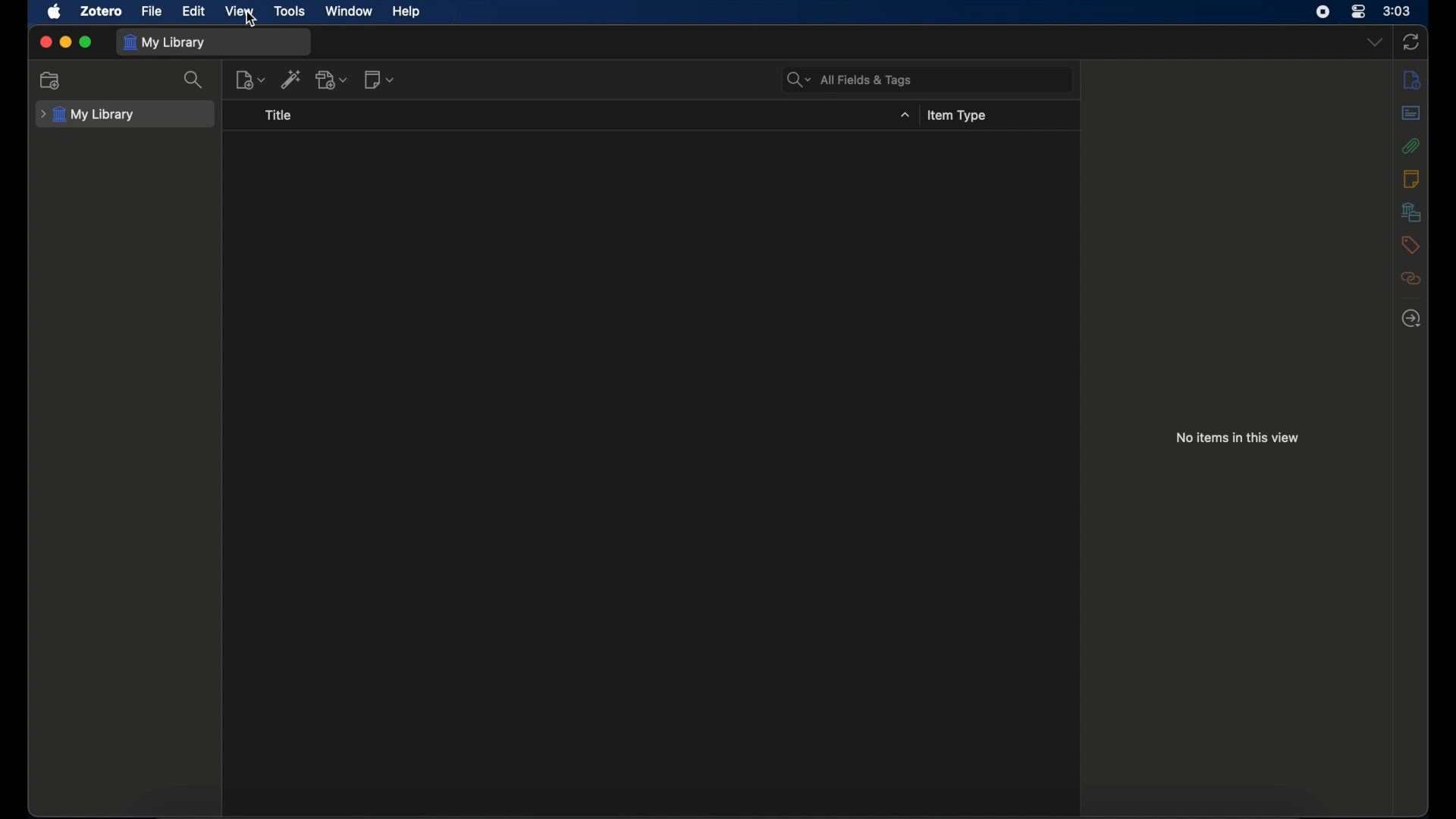 The width and height of the screenshot is (1456, 819). Describe the element at coordinates (1412, 81) in the screenshot. I see `info` at that location.